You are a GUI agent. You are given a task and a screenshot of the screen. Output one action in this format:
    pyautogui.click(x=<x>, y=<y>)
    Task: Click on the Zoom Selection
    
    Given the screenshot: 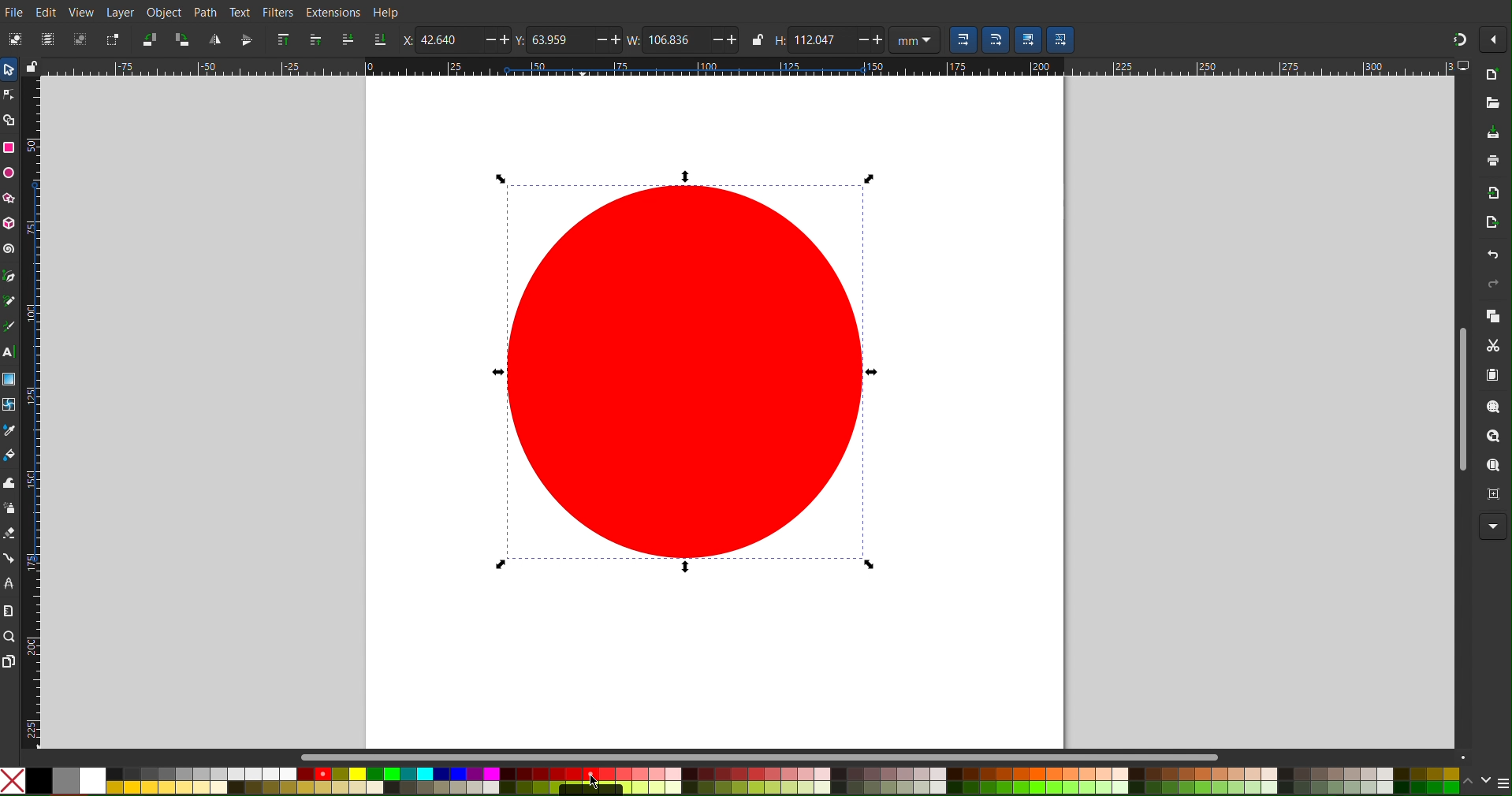 What is the action you would take?
    pyautogui.click(x=1492, y=408)
    